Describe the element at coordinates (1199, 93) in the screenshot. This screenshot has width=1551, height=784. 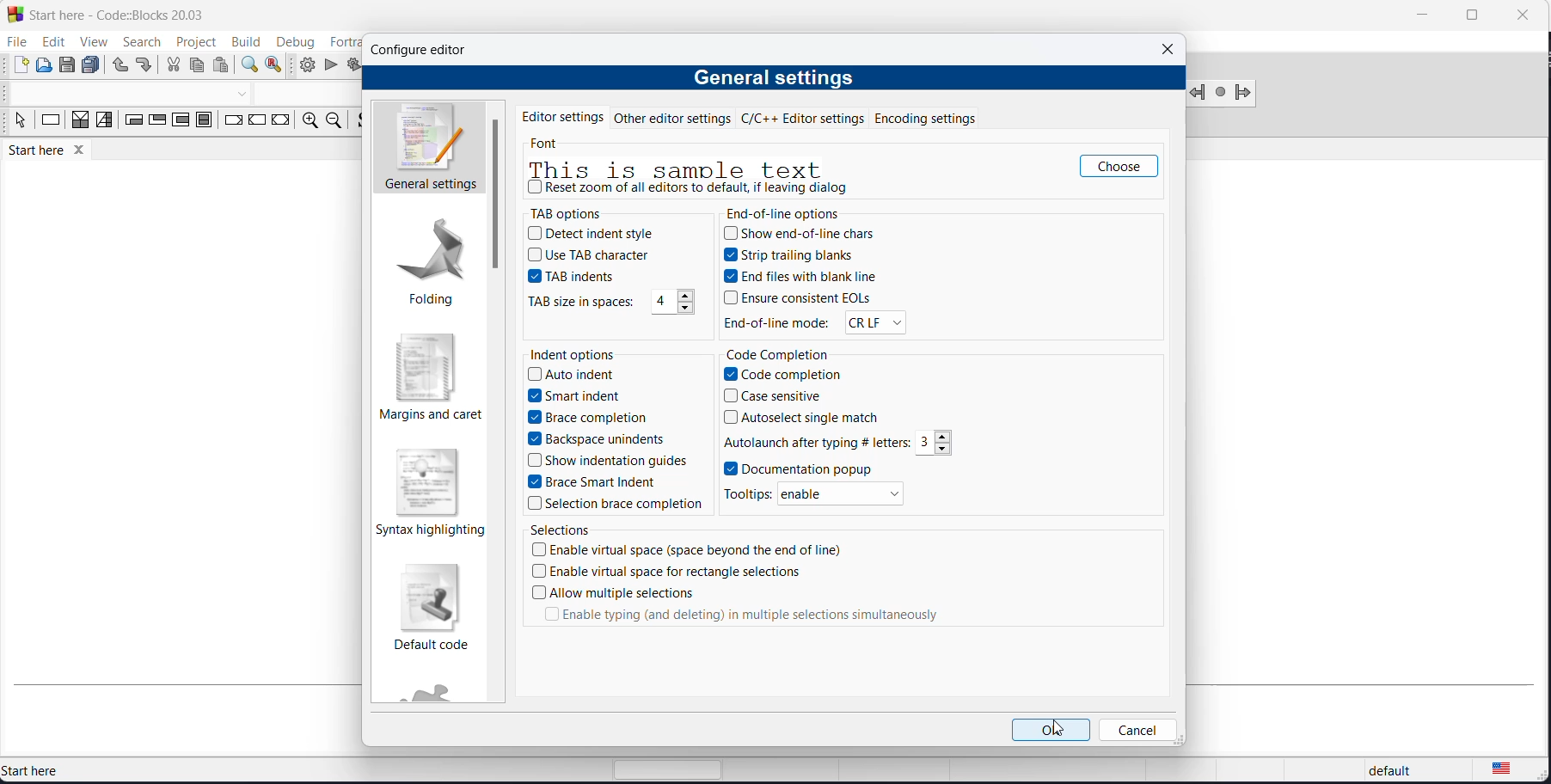
I see `jump back` at that location.